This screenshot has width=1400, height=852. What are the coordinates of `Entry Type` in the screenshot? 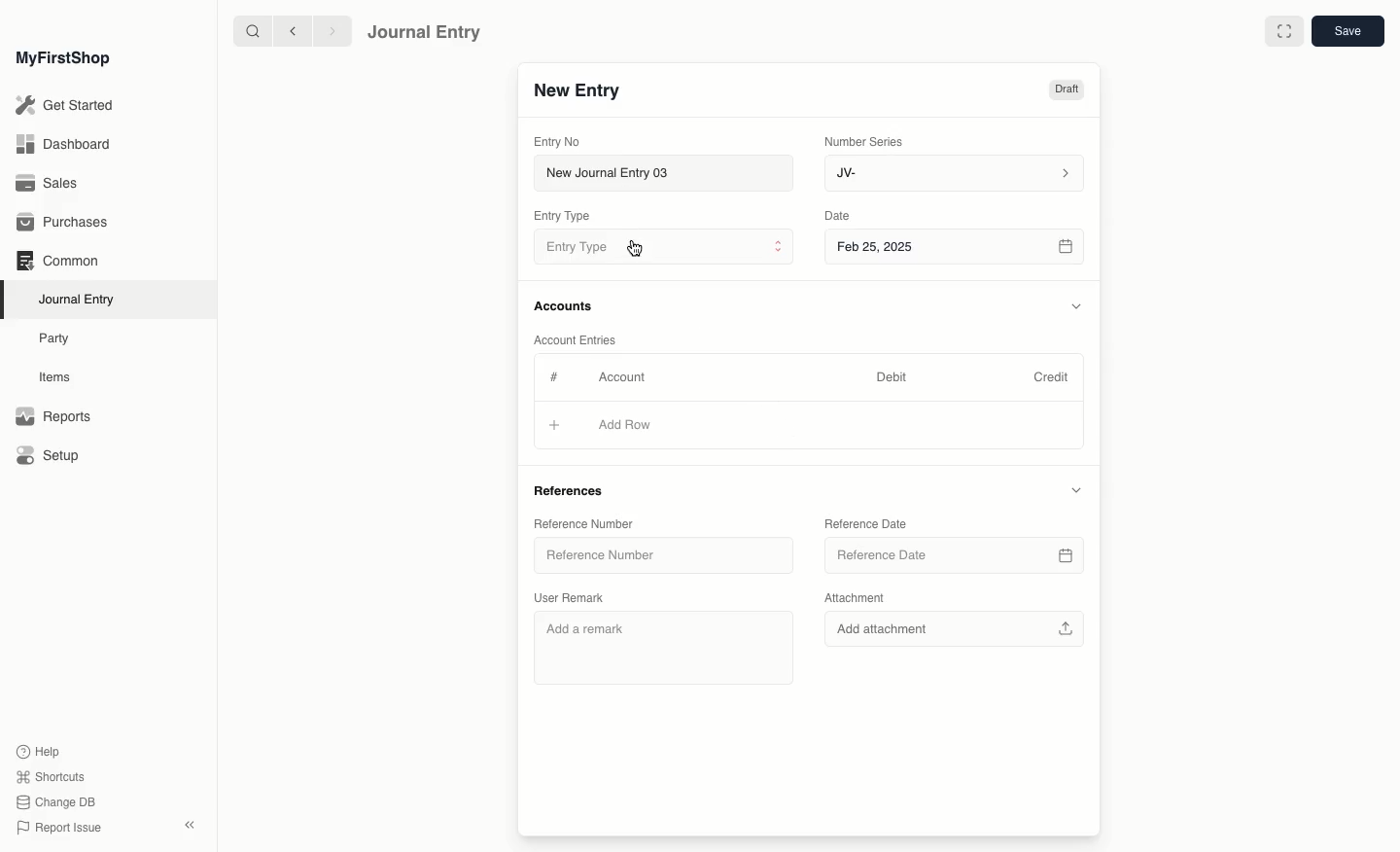 It's located at (661, 248).